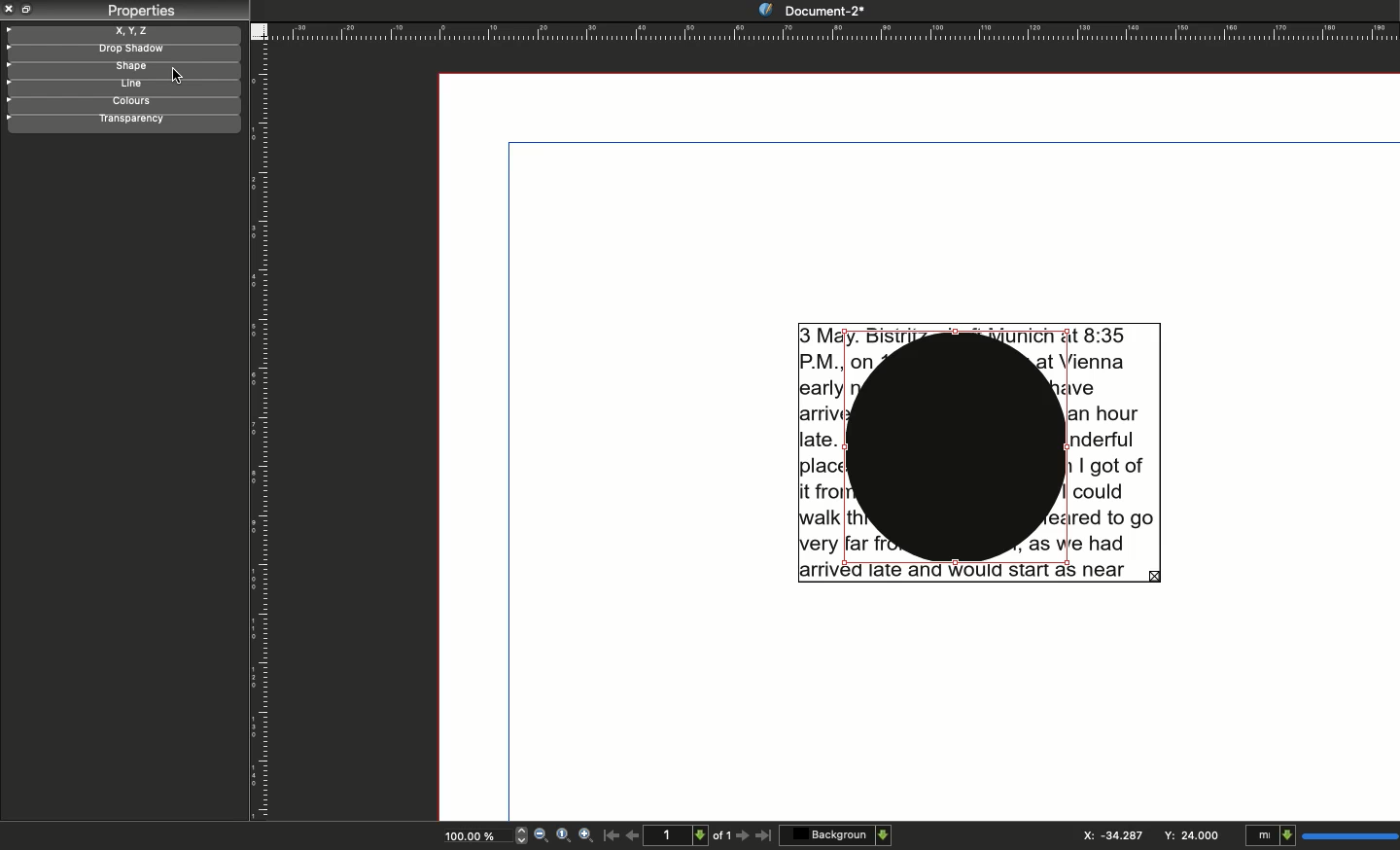 The height and width of the screenshot is (850, 1400). I want to click on Close, so click(10, 9).